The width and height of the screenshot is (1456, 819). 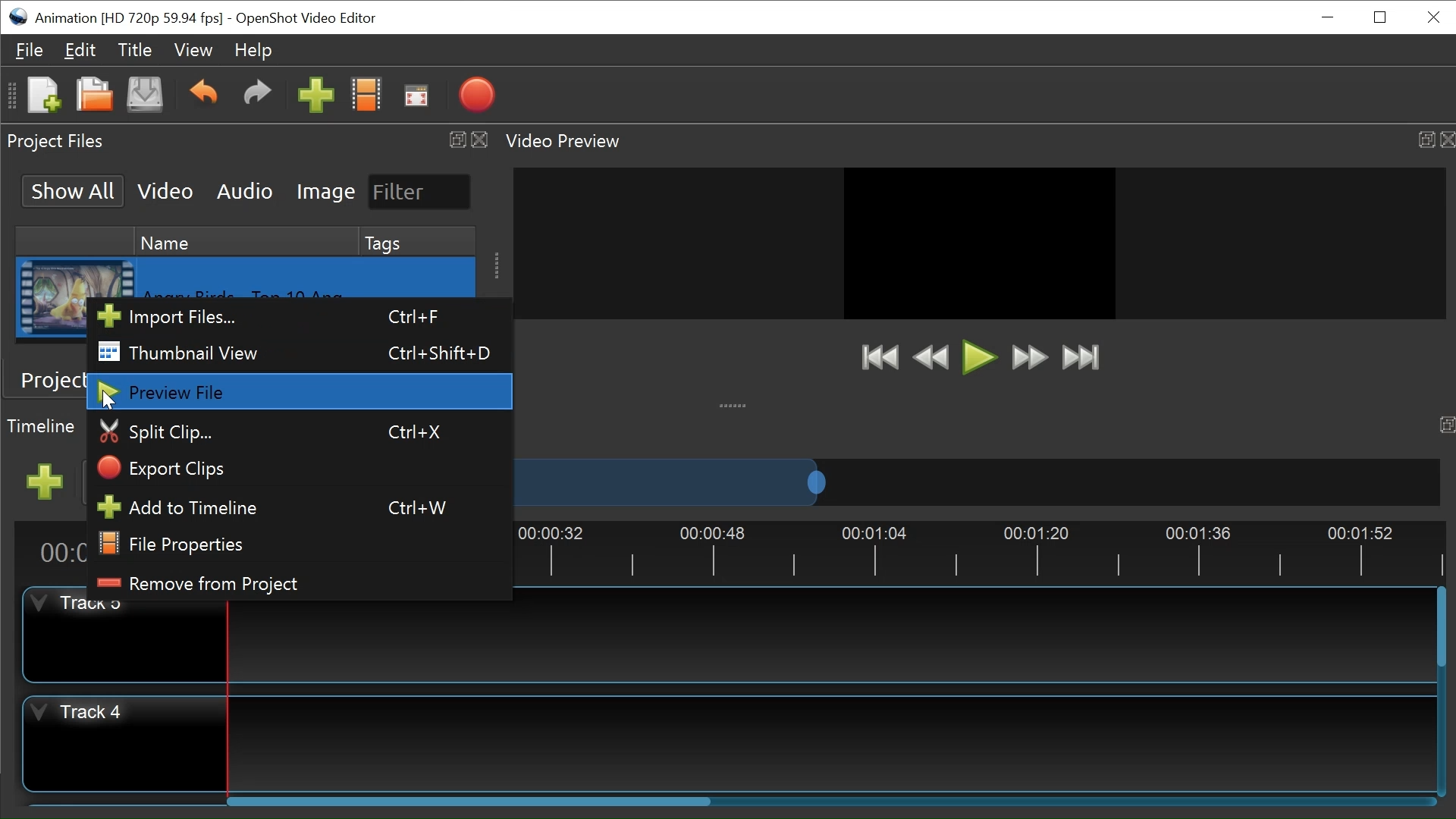 What do you see at coordinates (981, 359) in the screenshot?
I see `Play` at bounding box center [981, 359].